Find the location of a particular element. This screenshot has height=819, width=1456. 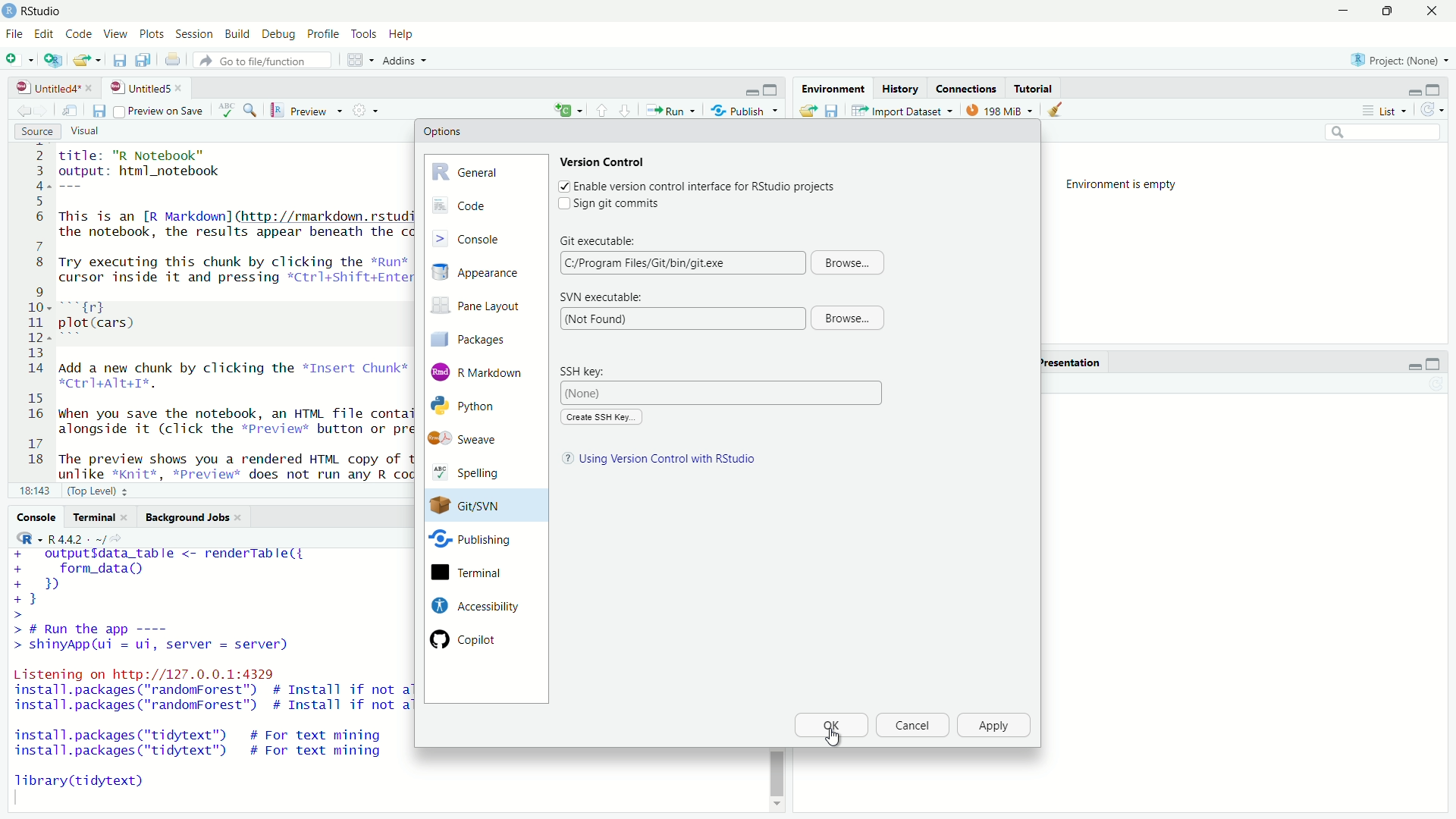

maximize is located at coordinates (1437, 89).